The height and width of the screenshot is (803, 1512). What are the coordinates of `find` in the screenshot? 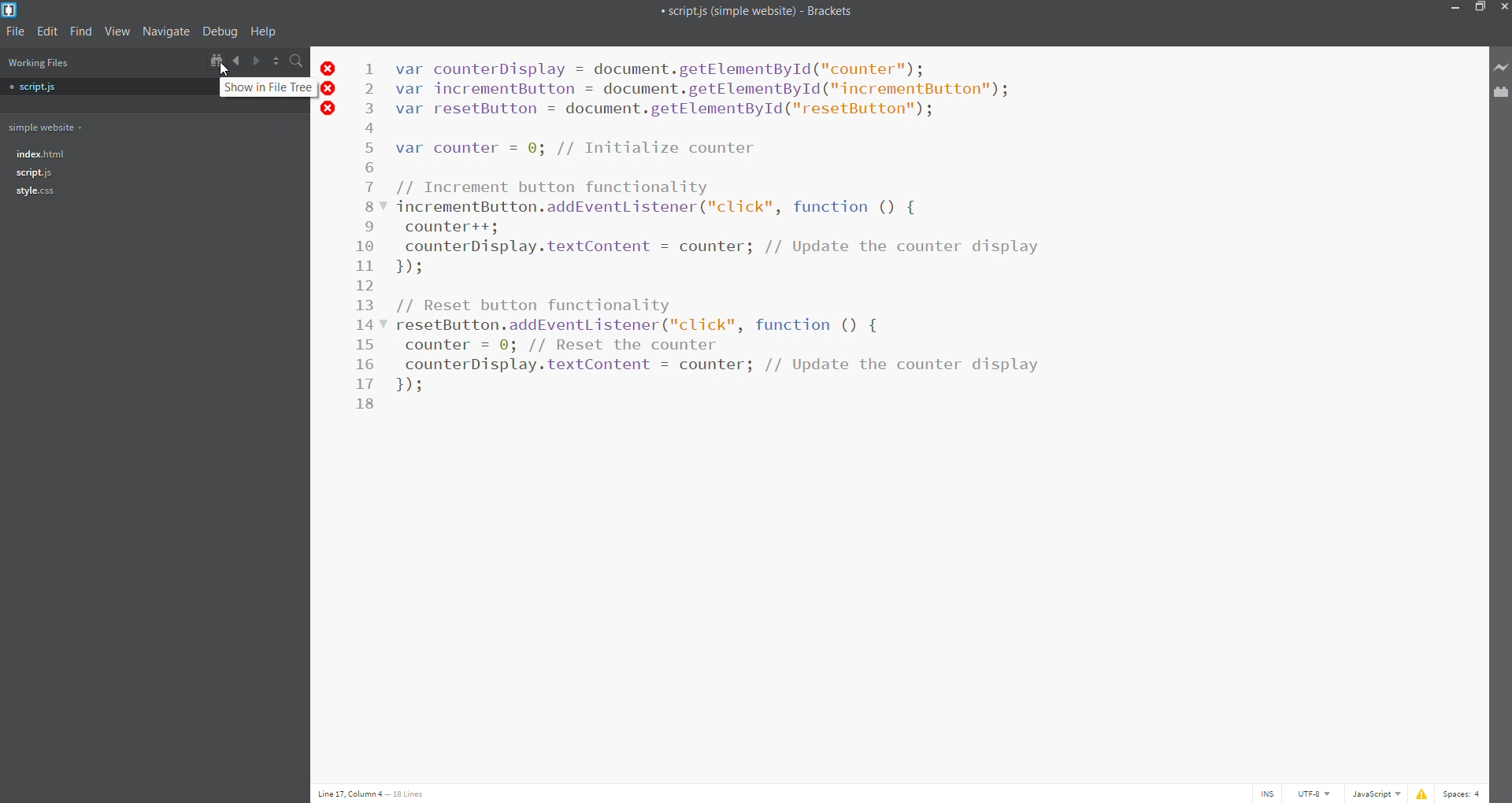 It's located at (82, 31).